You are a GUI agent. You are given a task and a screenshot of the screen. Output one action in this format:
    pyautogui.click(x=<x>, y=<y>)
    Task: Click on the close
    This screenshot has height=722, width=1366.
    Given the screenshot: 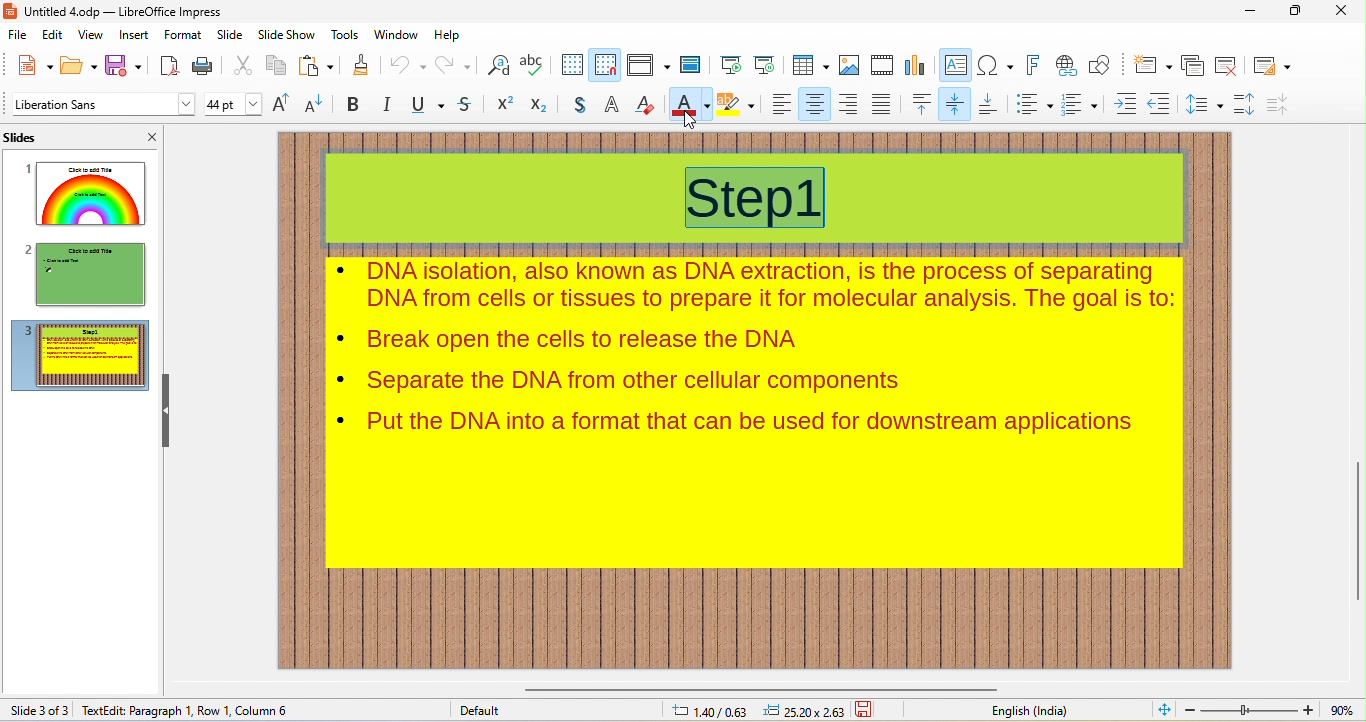 What is the action you would take?
    pyautogui.click(x=1344, y=11)
    